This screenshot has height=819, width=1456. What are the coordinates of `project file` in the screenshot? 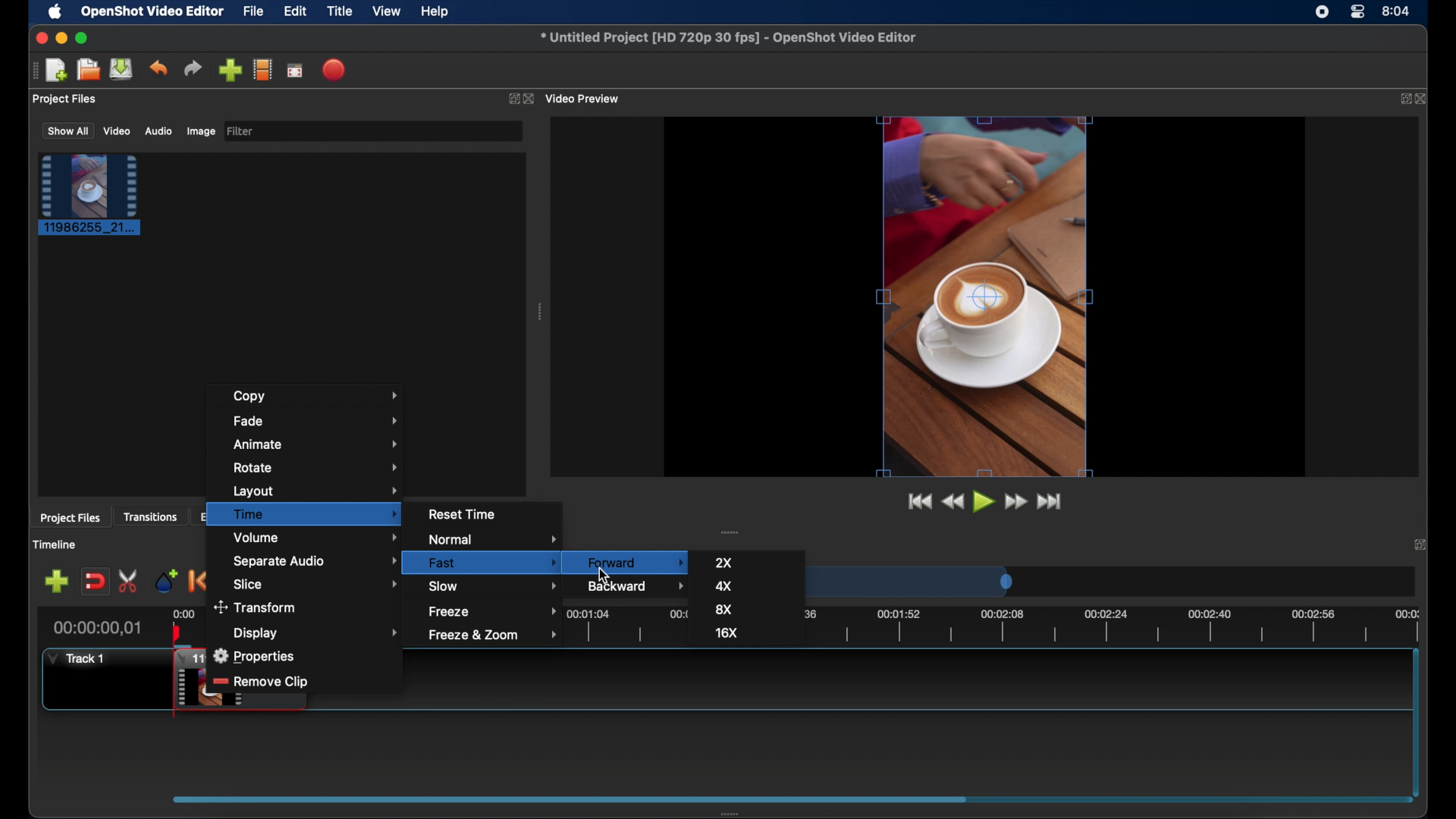 It's located at (90, 195).